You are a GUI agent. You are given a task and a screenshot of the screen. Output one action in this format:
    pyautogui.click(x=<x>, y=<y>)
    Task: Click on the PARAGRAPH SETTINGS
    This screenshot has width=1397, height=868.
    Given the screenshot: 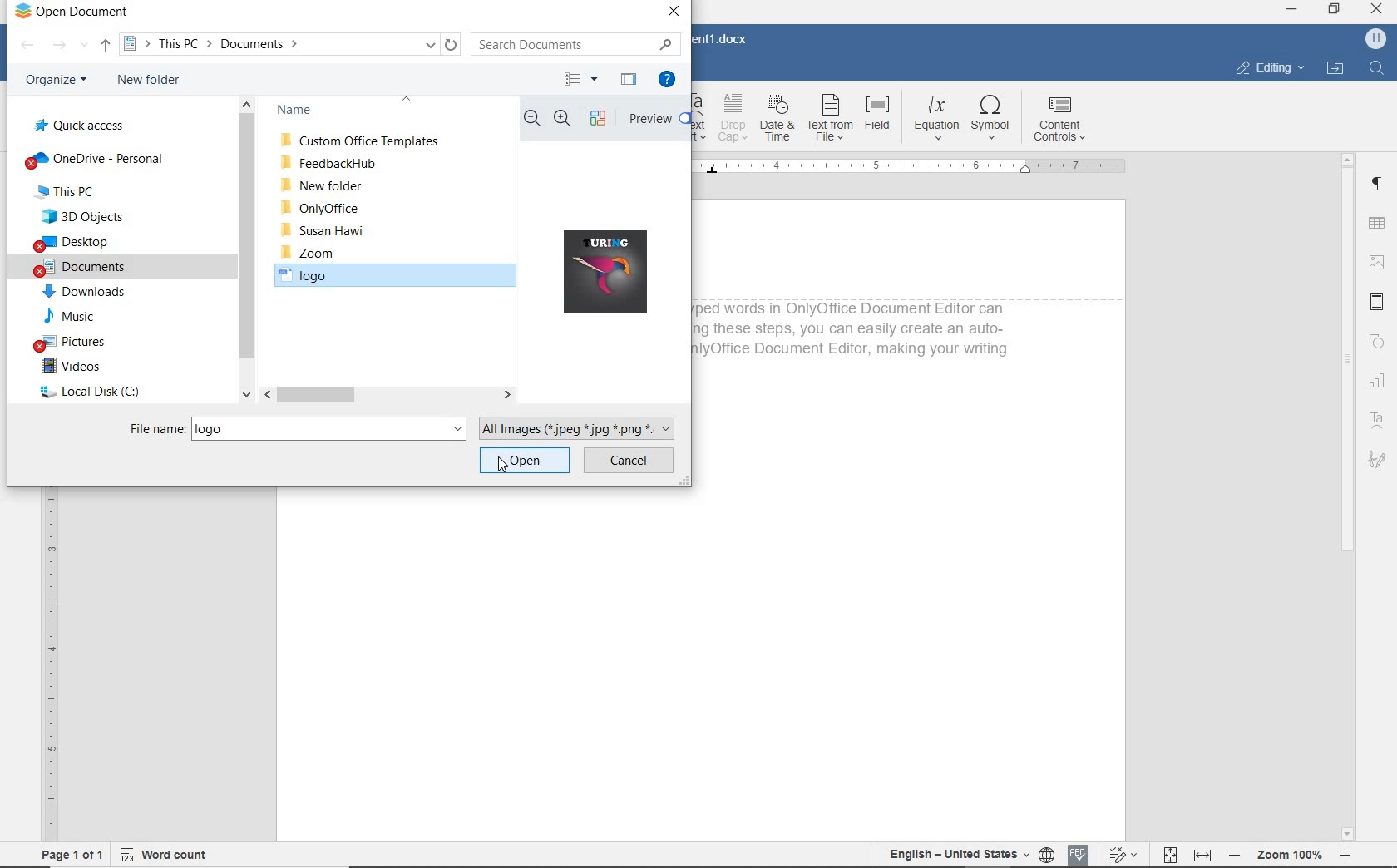 What is the action you would take?
    pyautogui.click(x=1376, y=184)
    